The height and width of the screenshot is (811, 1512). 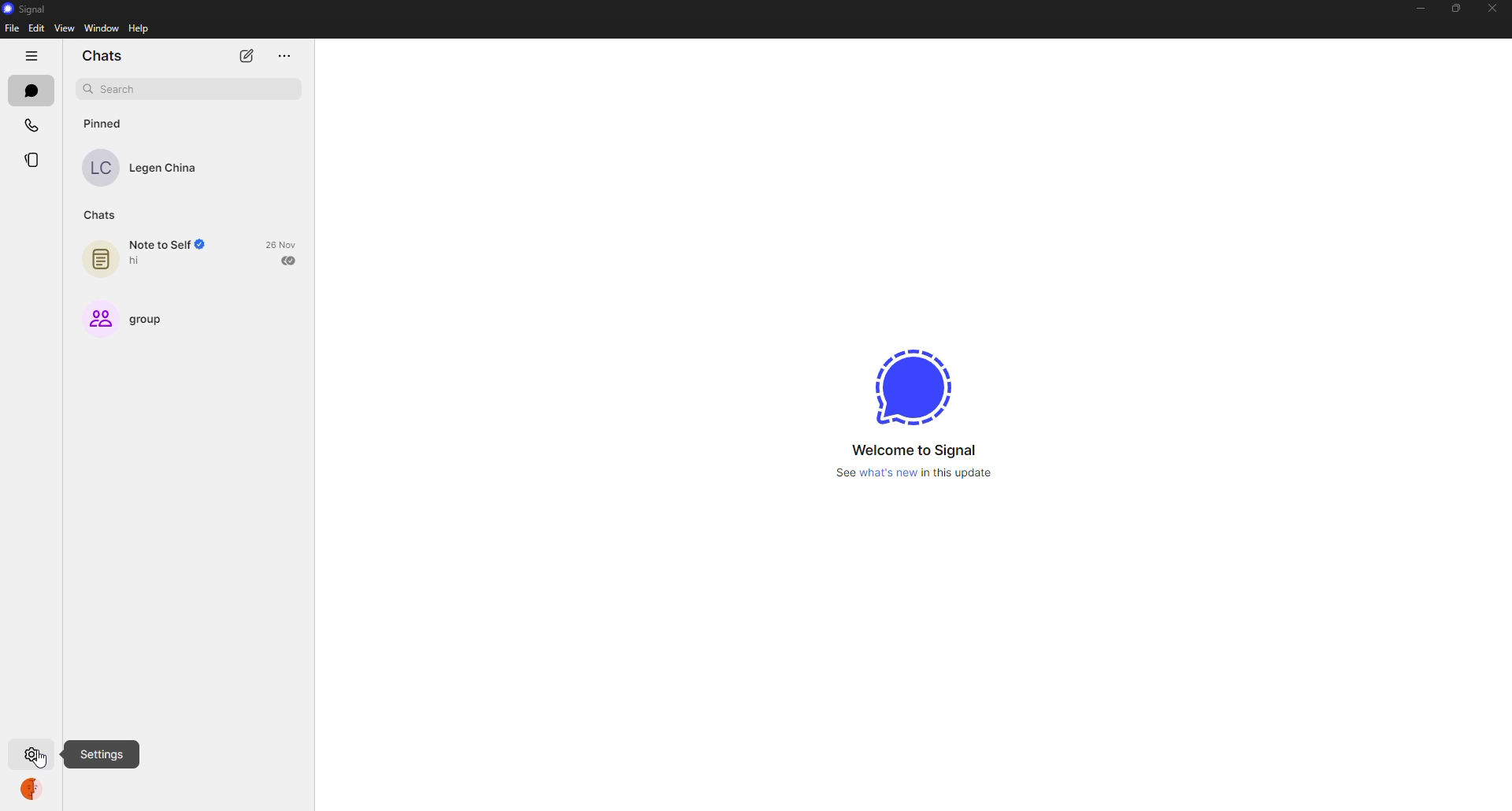 I want to click on chats, so click(x=103, y=56).